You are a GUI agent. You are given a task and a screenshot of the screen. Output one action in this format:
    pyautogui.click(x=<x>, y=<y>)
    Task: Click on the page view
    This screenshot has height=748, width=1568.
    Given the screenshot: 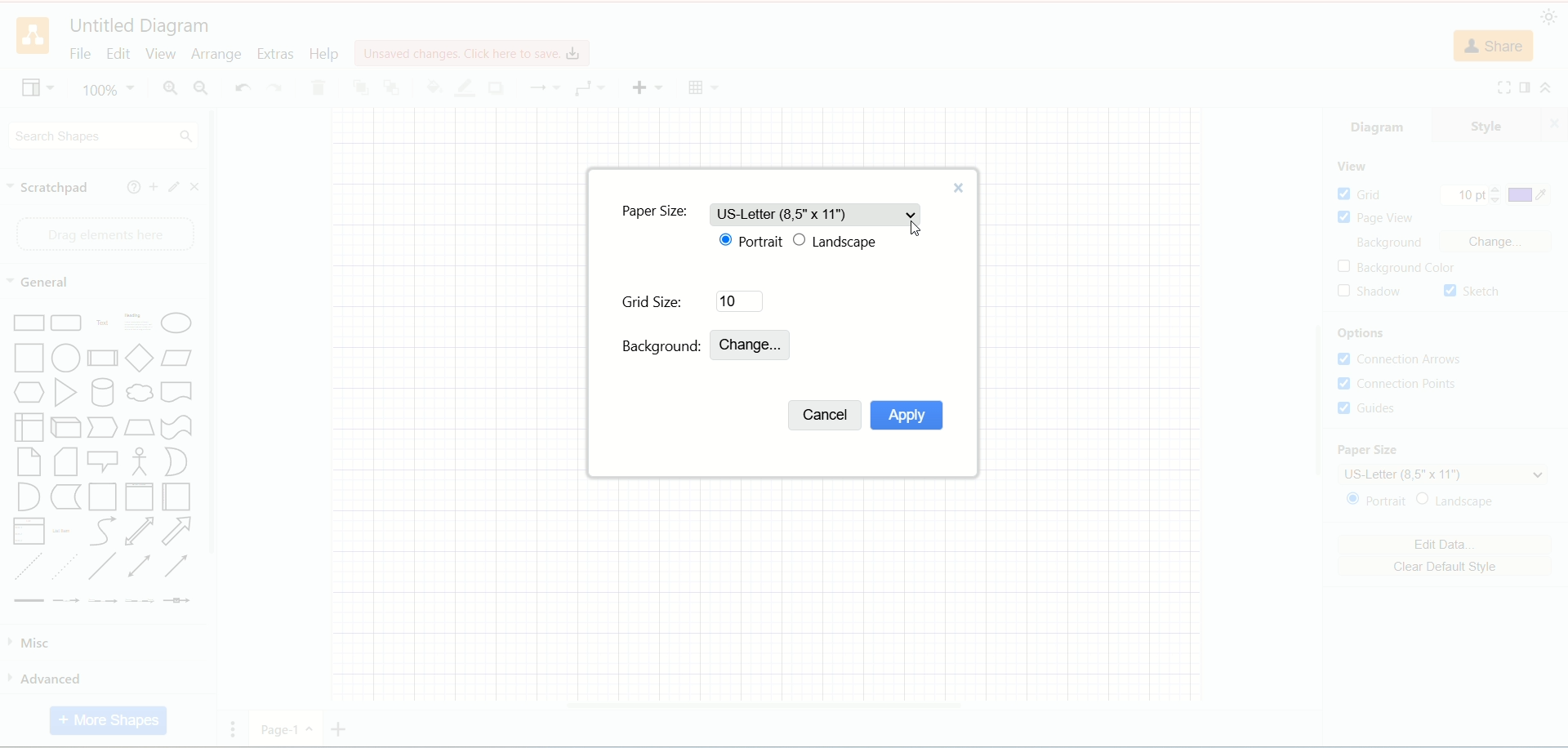 What is the action you would take?
    pyautogui.click(x=1380, y=218)
    